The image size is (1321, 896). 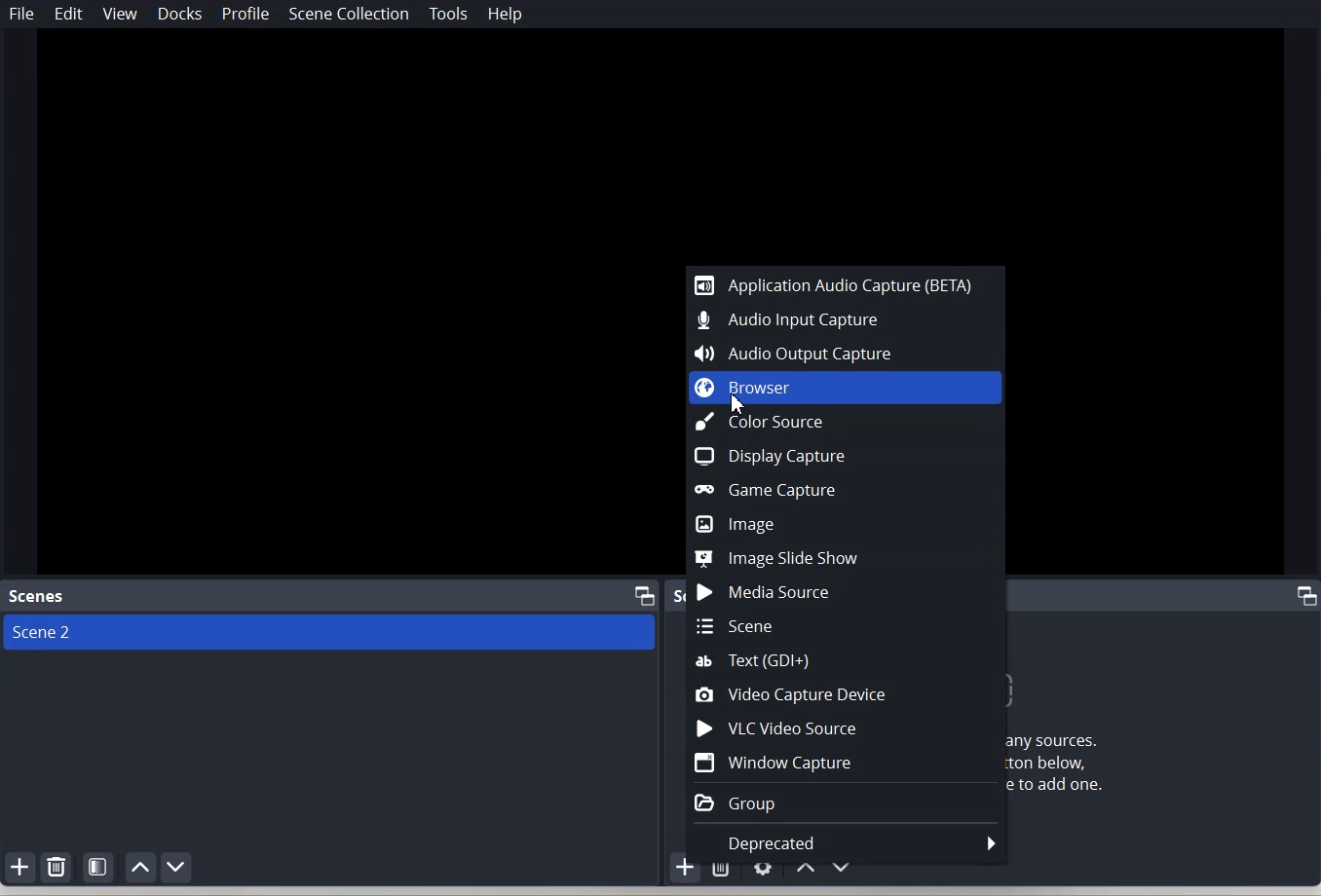 What do you see at coordinates (19, 866) in the screenshot?
I see `Add Scene` at bounding box center [19, 866].